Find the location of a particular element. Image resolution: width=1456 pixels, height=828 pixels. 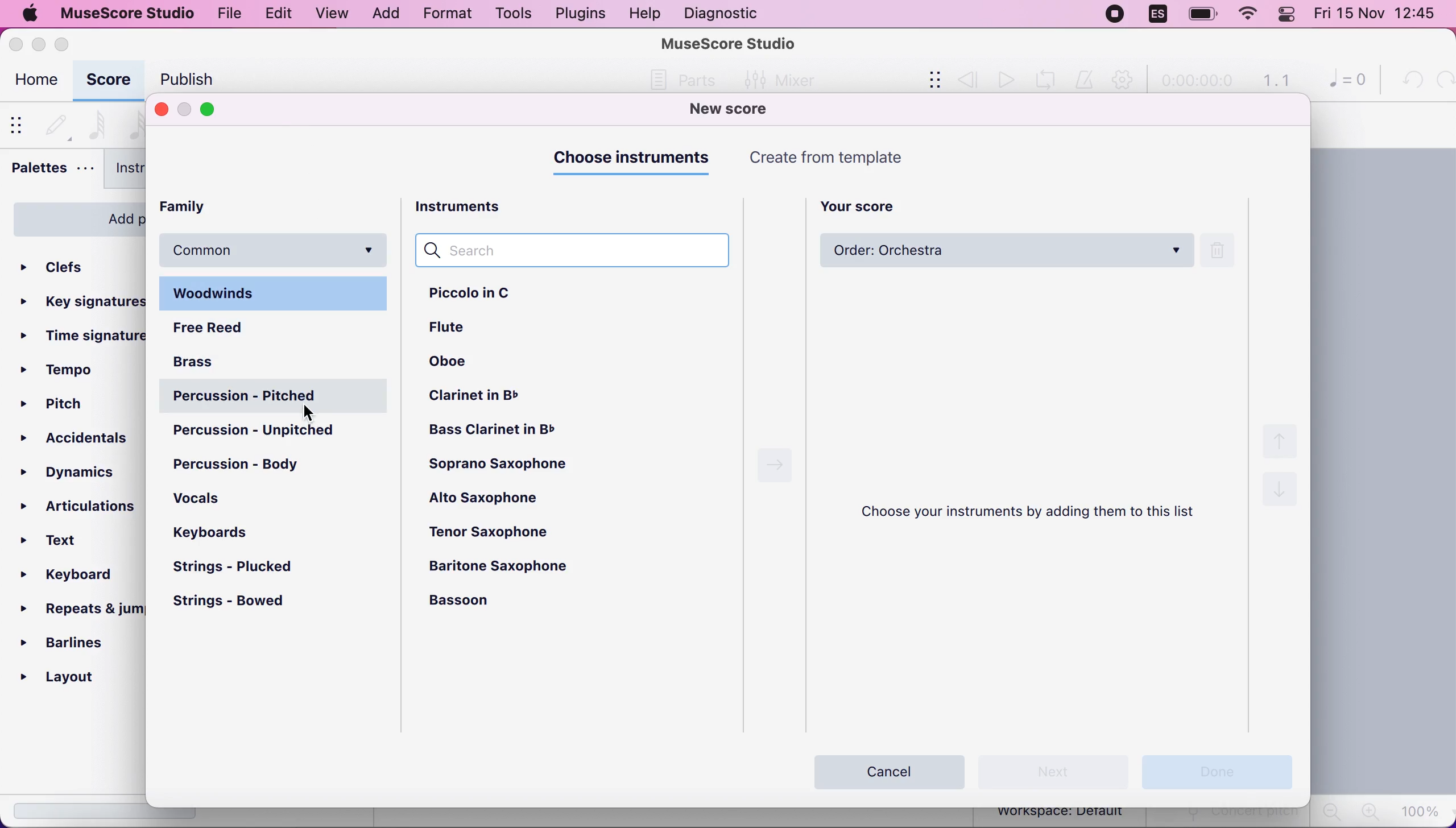

strings - plucked is located at coordinates (241, 568).